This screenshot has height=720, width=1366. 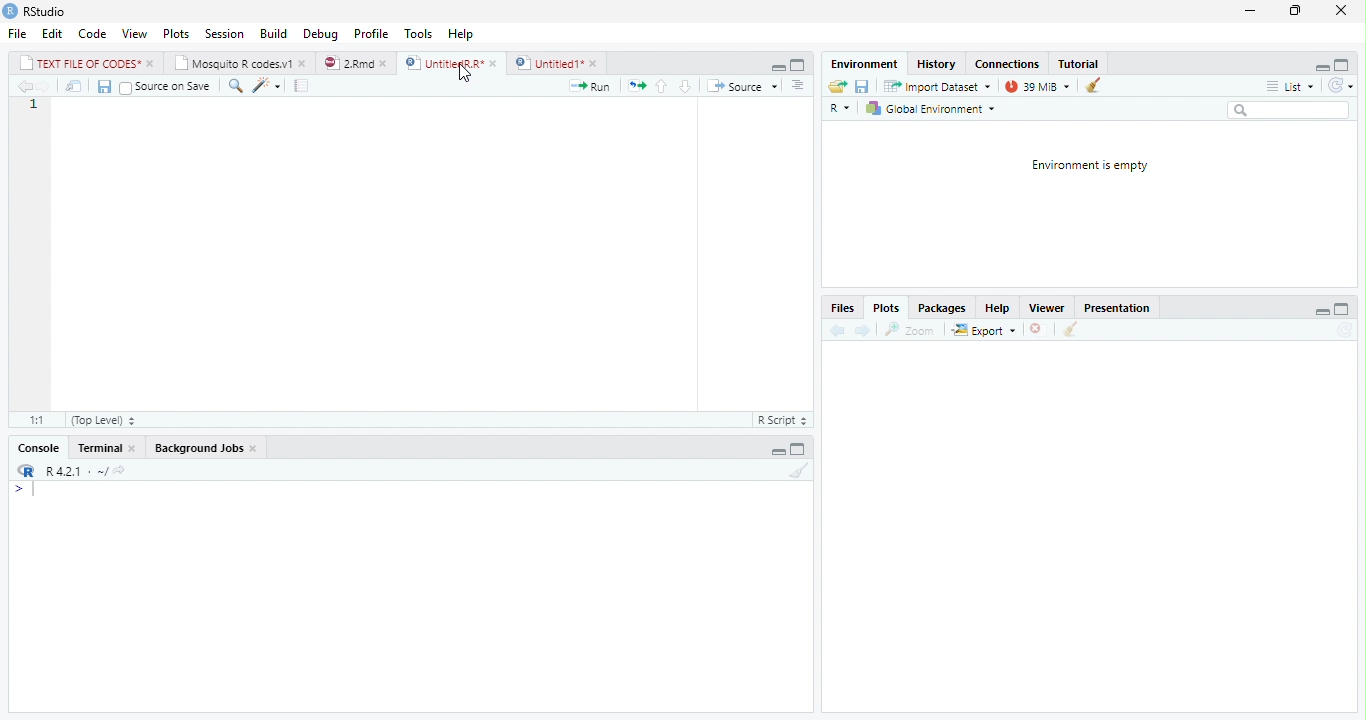 I want to click on History, so click(x=938, y=64).